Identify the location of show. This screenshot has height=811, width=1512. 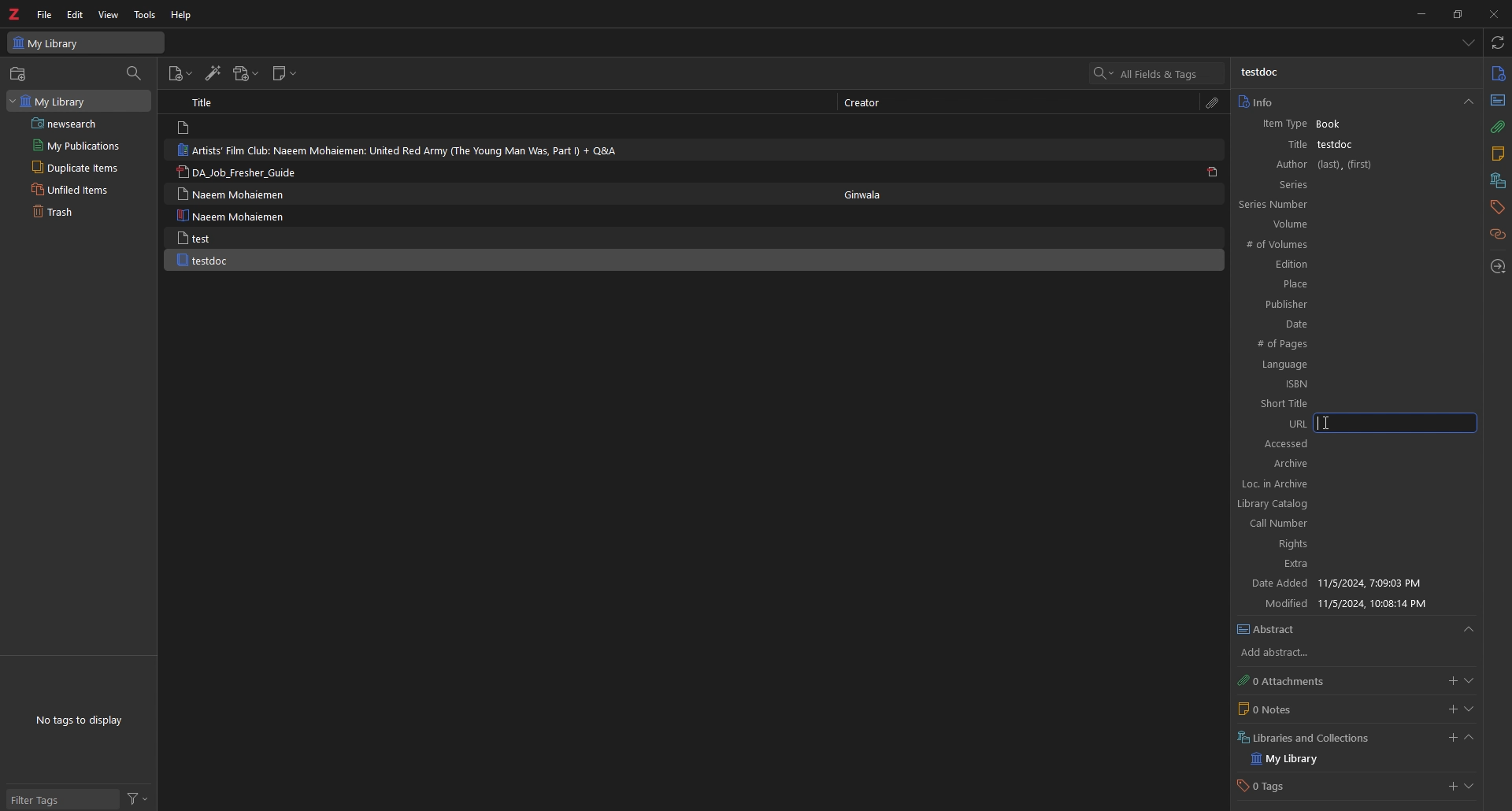
(1470, 786).